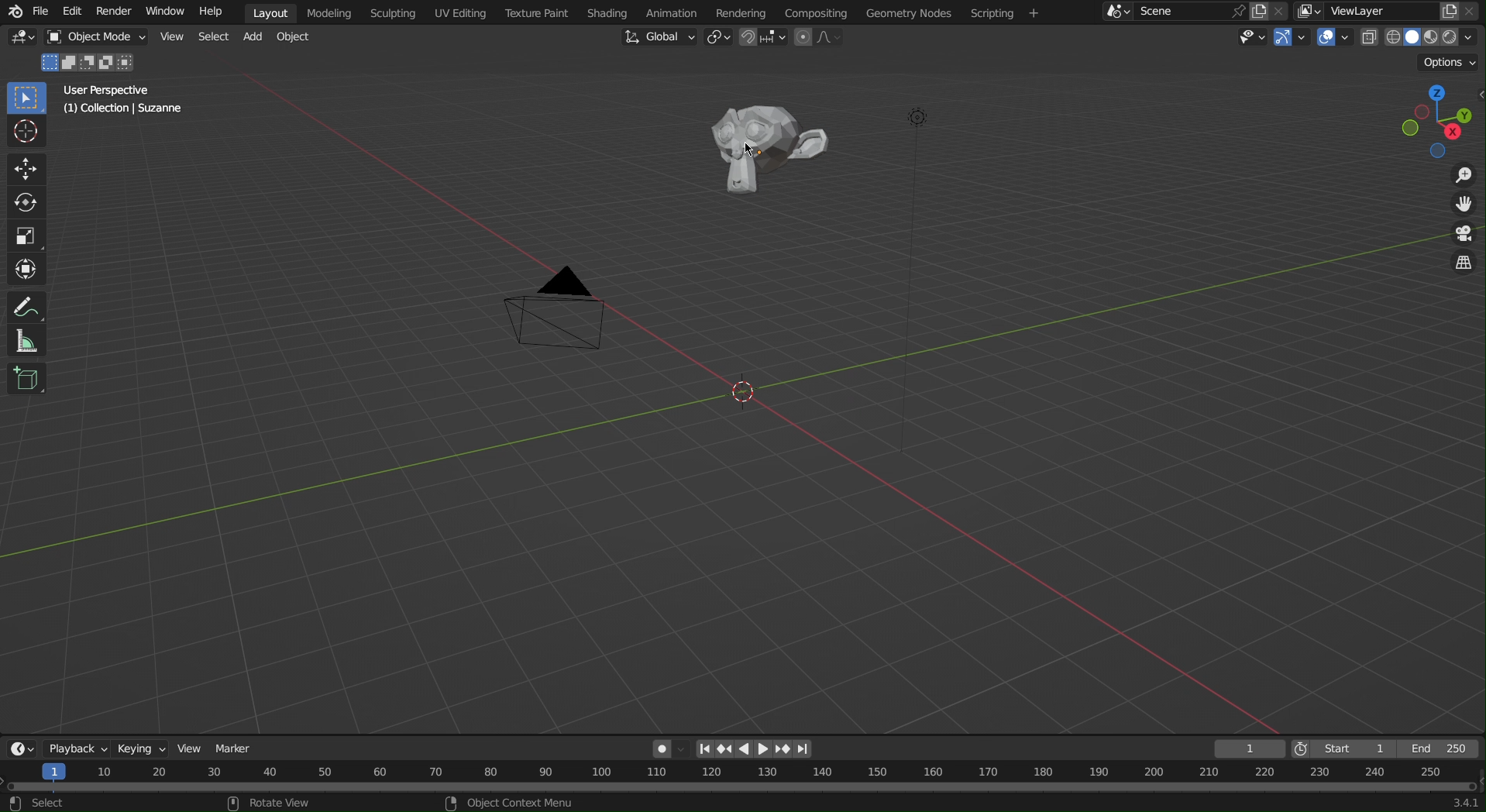 This screenshot has height=812, width=1486. Describe the element at coordinates (1302, 748) in the screenshot. I see `Stopwatch icon` at that location.